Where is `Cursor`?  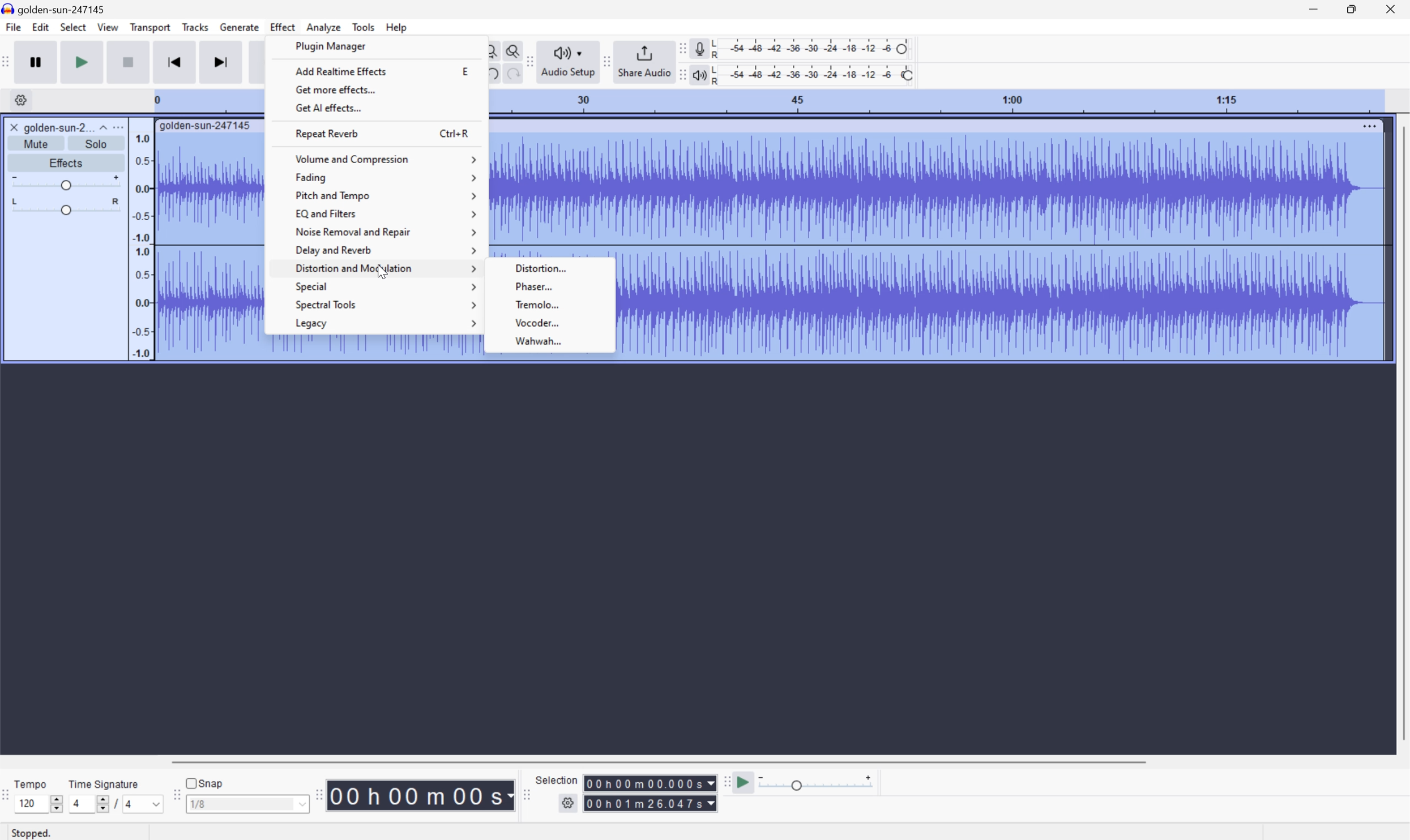
Cursor is located at coordinates (383, 275).